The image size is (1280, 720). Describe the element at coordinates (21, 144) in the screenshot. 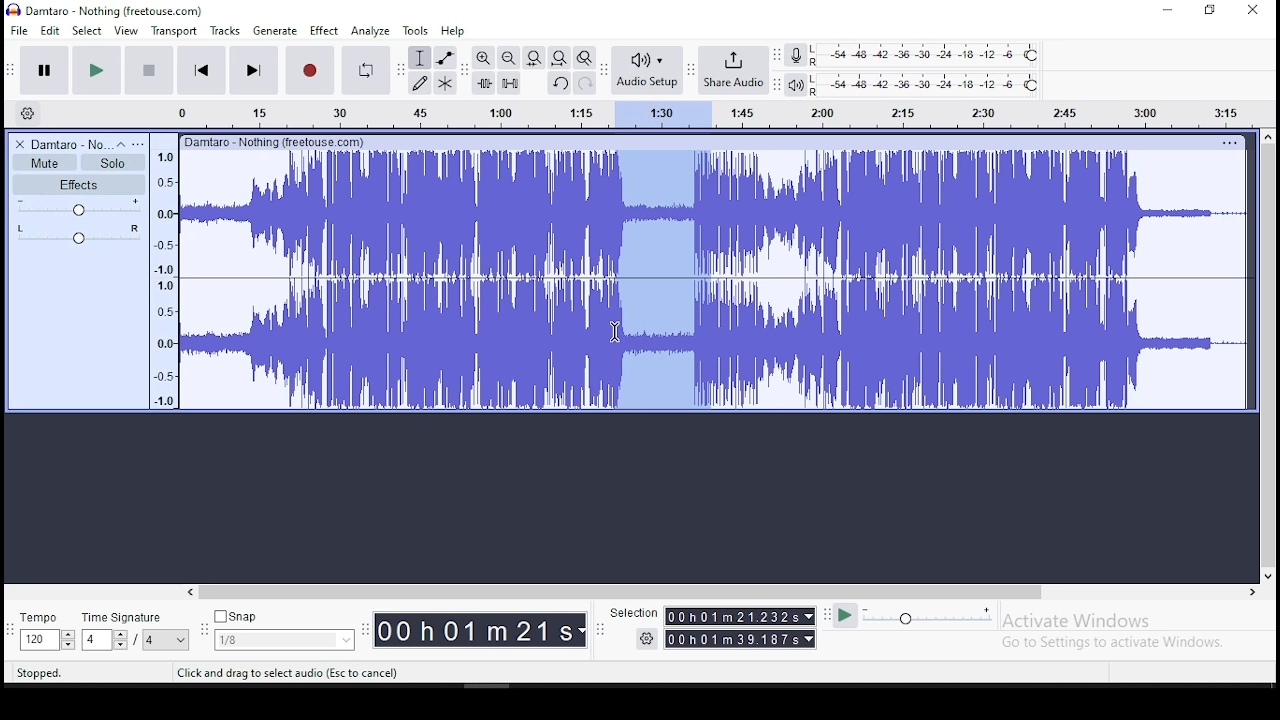

I see `delete track` at that location.